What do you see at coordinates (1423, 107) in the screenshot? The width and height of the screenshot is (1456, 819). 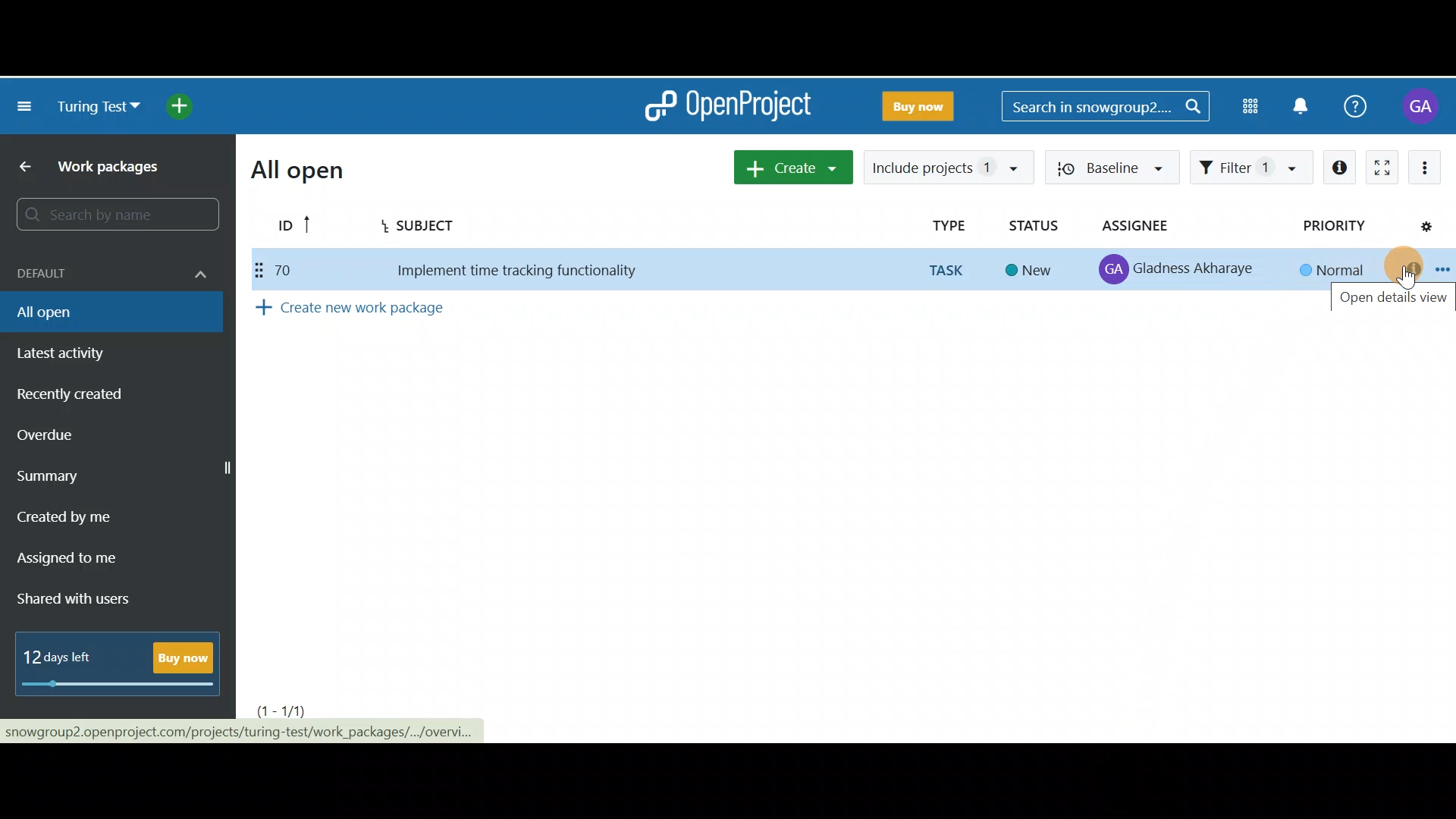 I see `Account name` at bounding box center [1423, 107].